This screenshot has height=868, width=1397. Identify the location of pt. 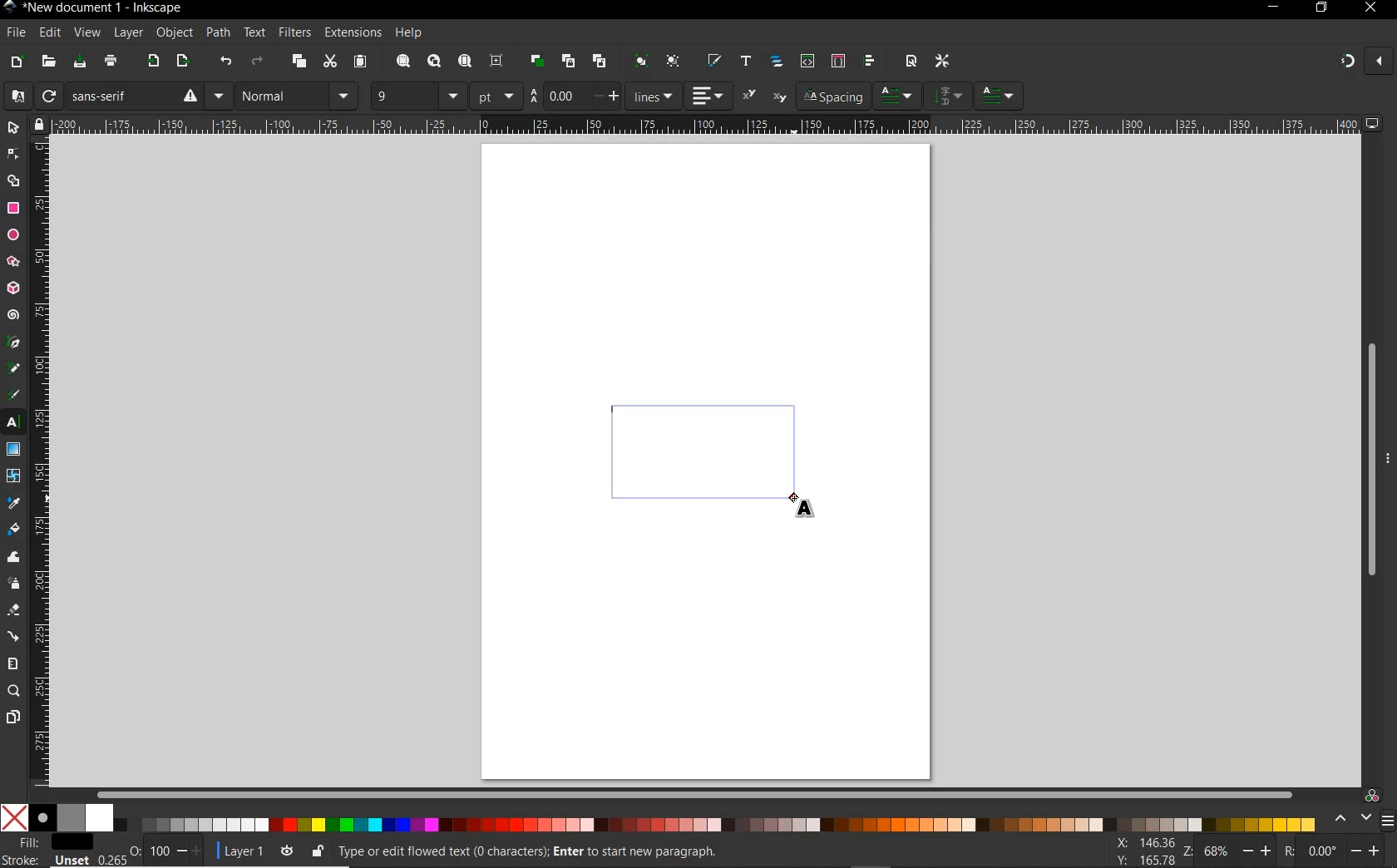
(496, 96).